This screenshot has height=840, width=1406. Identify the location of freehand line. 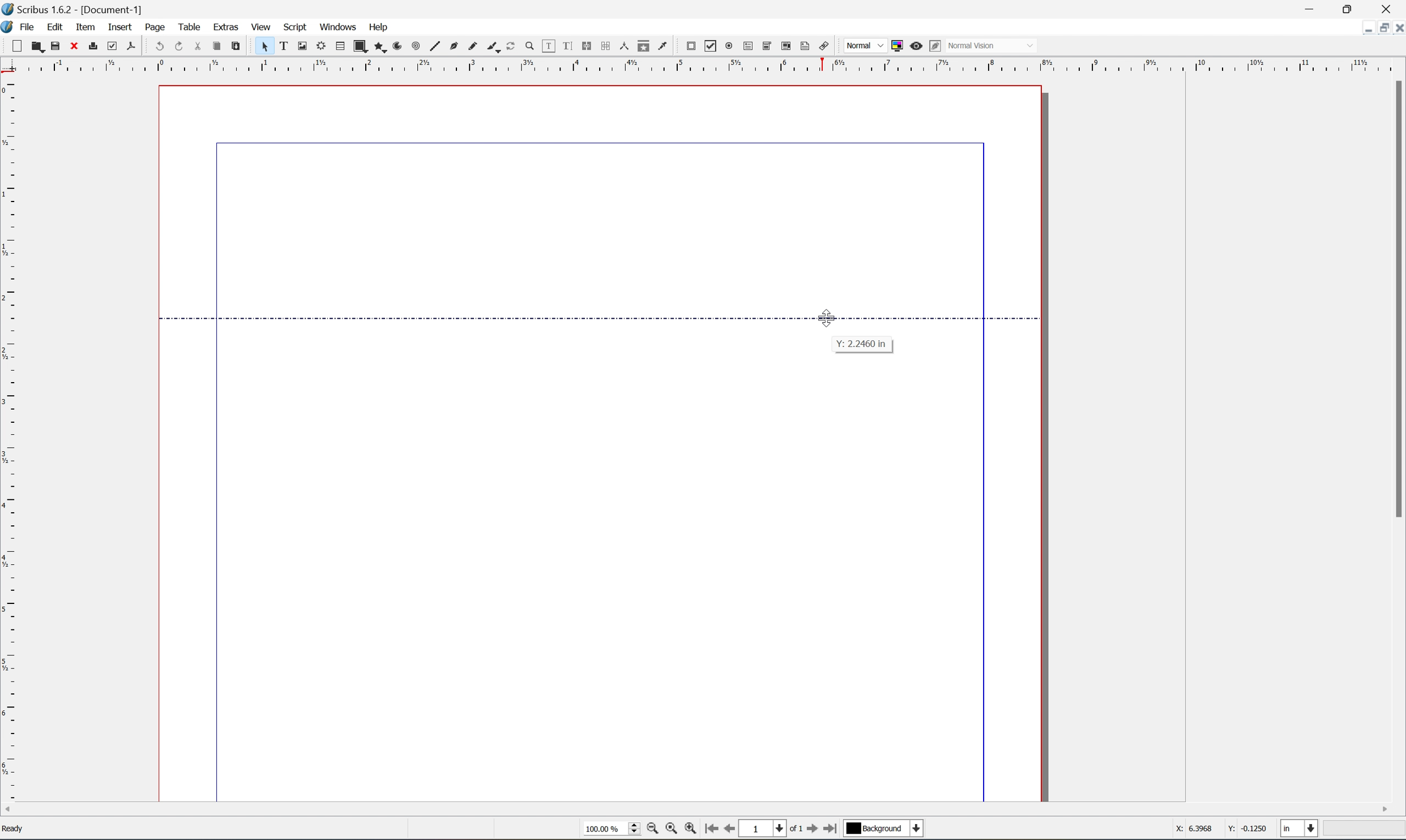
(475, 46).